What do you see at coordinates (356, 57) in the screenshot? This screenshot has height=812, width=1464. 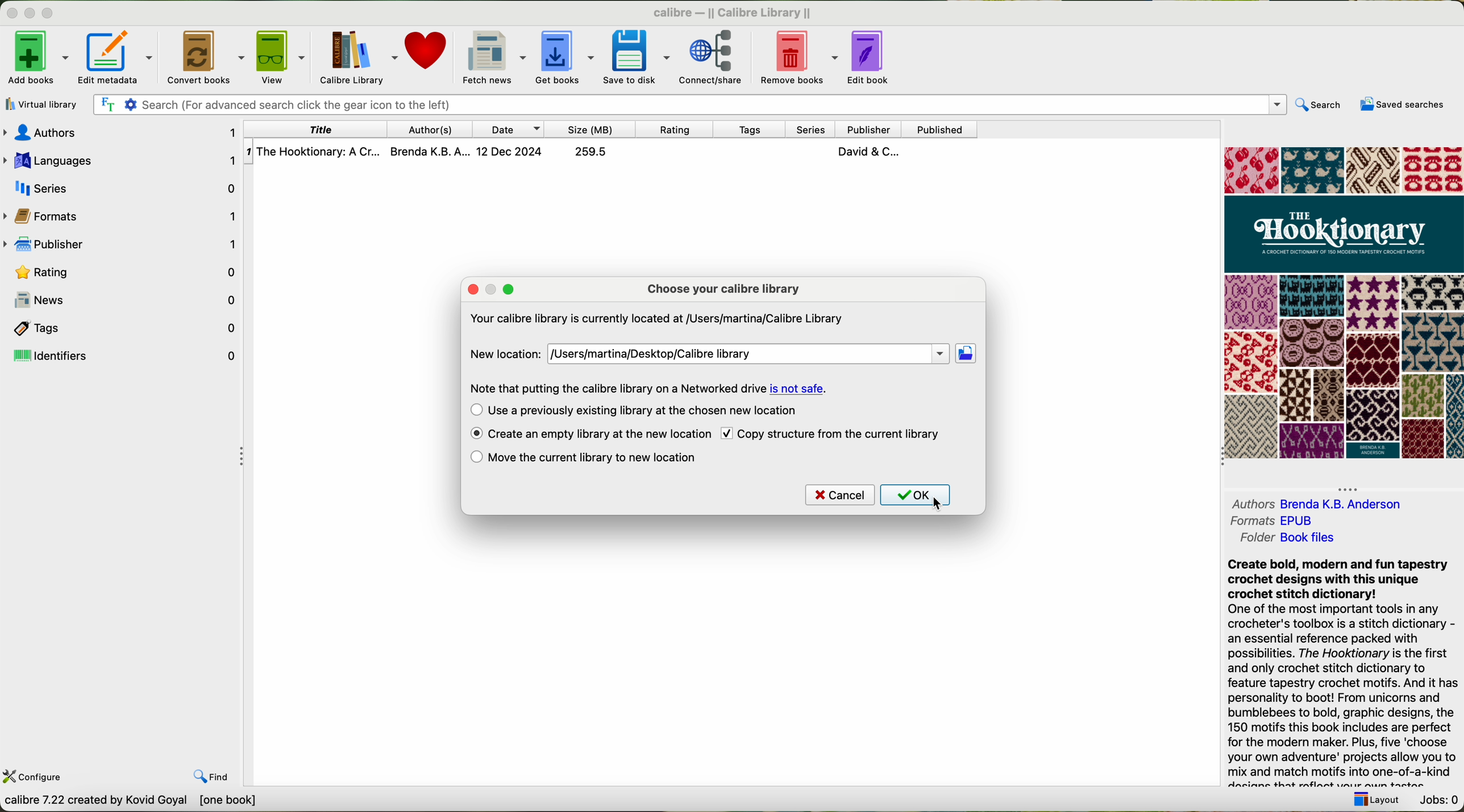 I see `Calibre library` at bounding box center [356, 57].